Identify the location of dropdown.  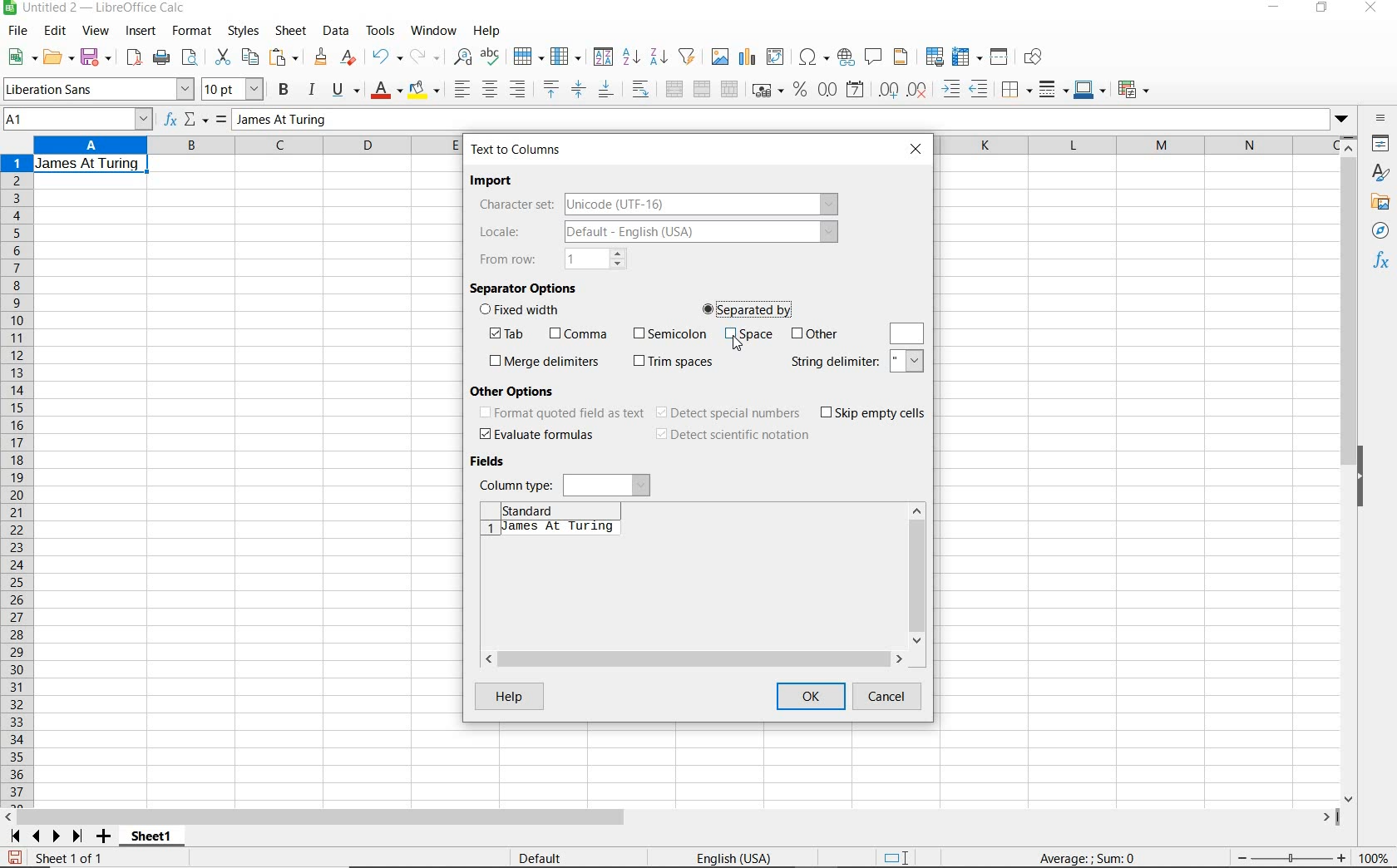
(1341, 121).